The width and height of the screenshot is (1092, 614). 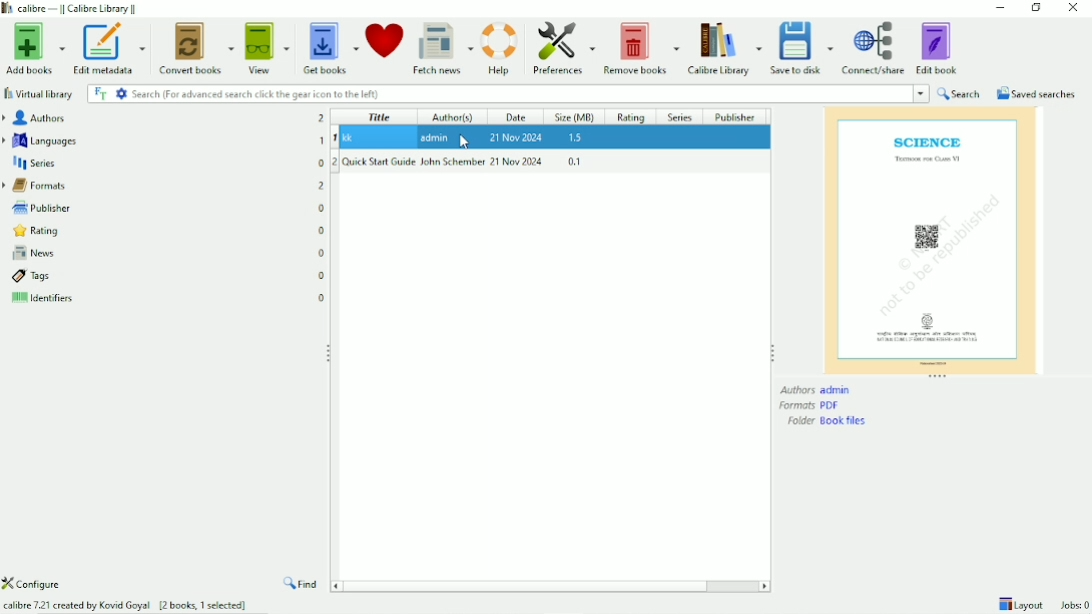 I want to click on Folder, so click(x=829, y=421).